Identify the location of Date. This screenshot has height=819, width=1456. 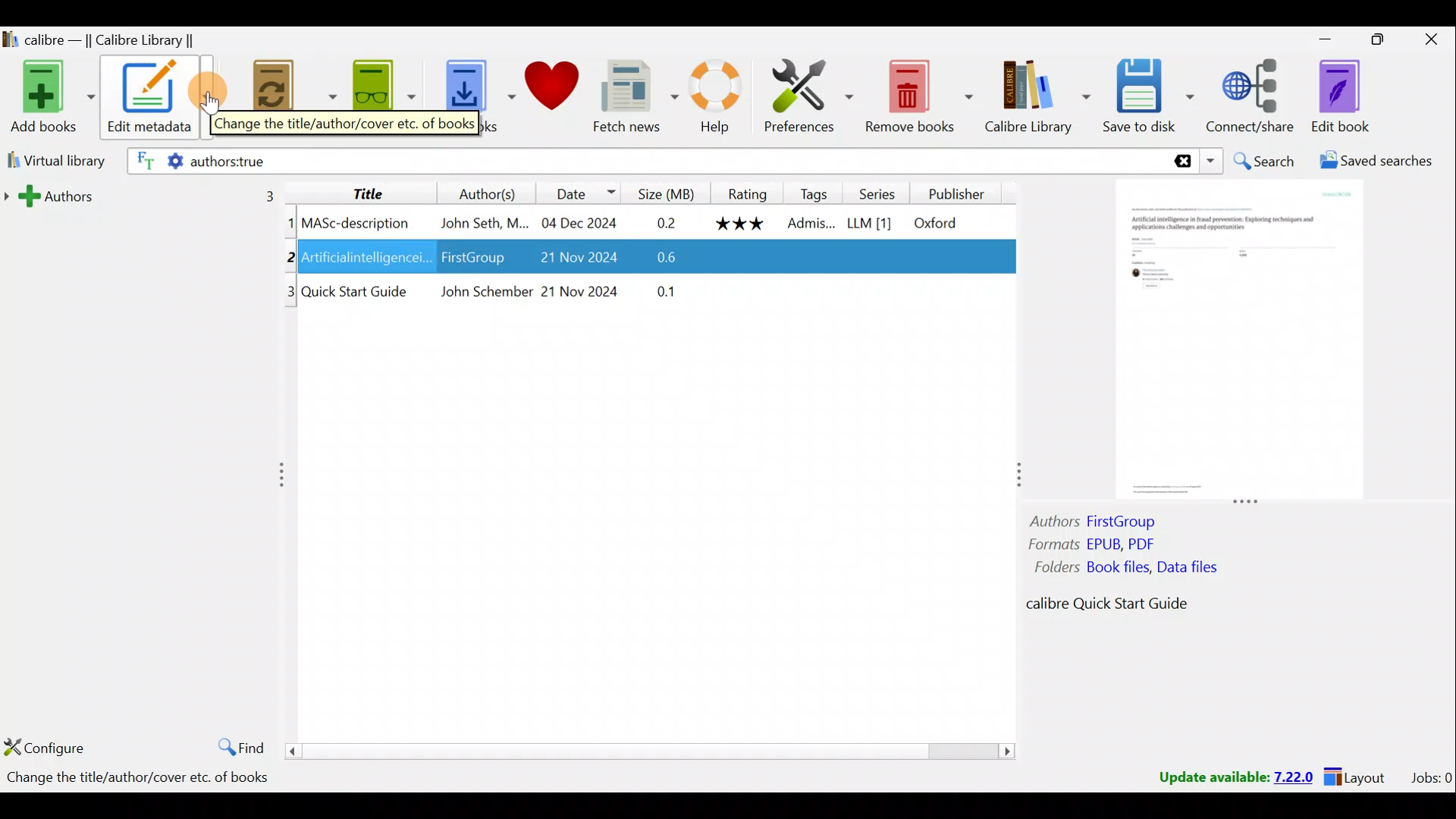
(576, 193).